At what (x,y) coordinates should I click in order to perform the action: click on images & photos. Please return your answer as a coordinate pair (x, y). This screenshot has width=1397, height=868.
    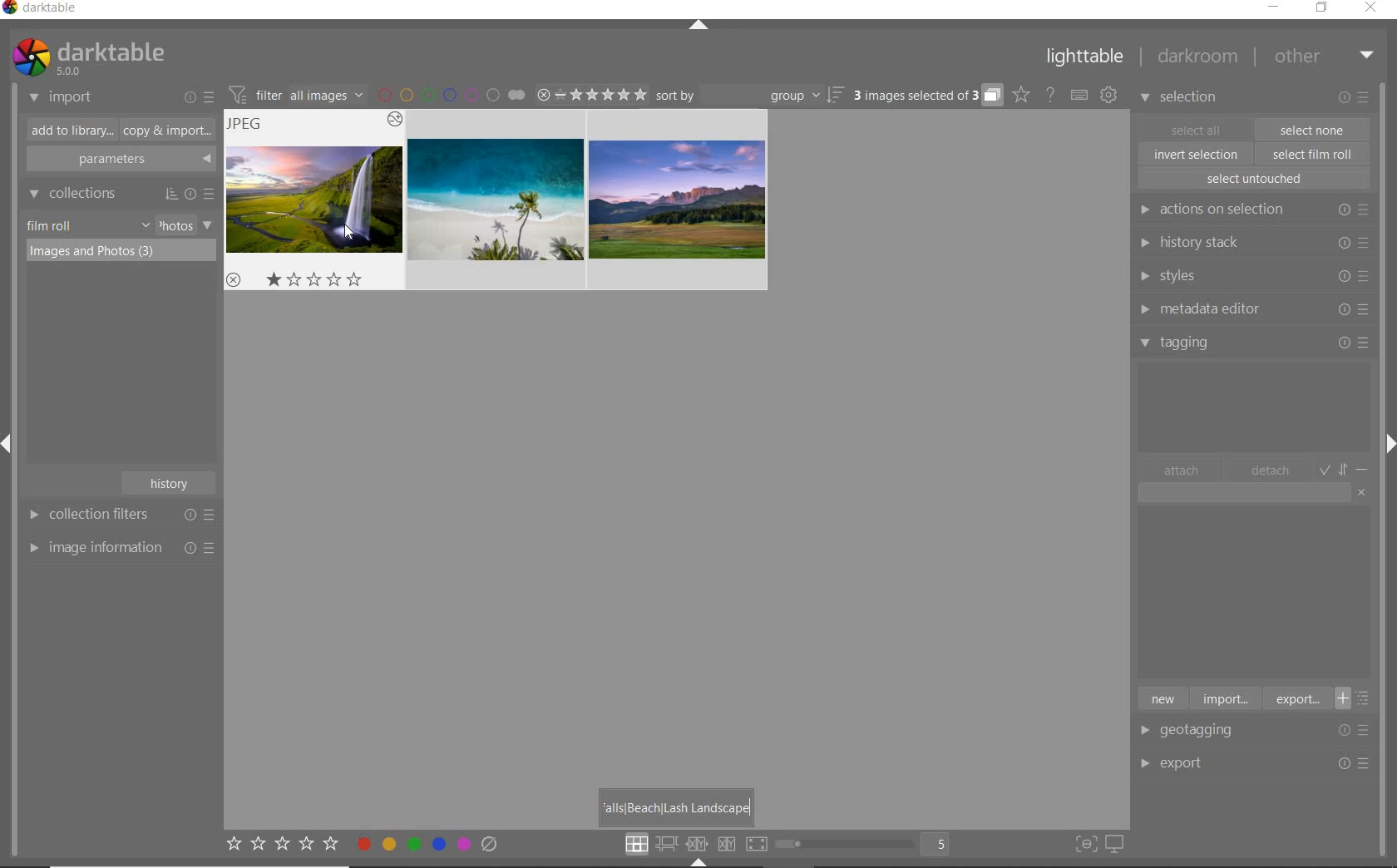
    Looking at the image, I should click on (121, 252).